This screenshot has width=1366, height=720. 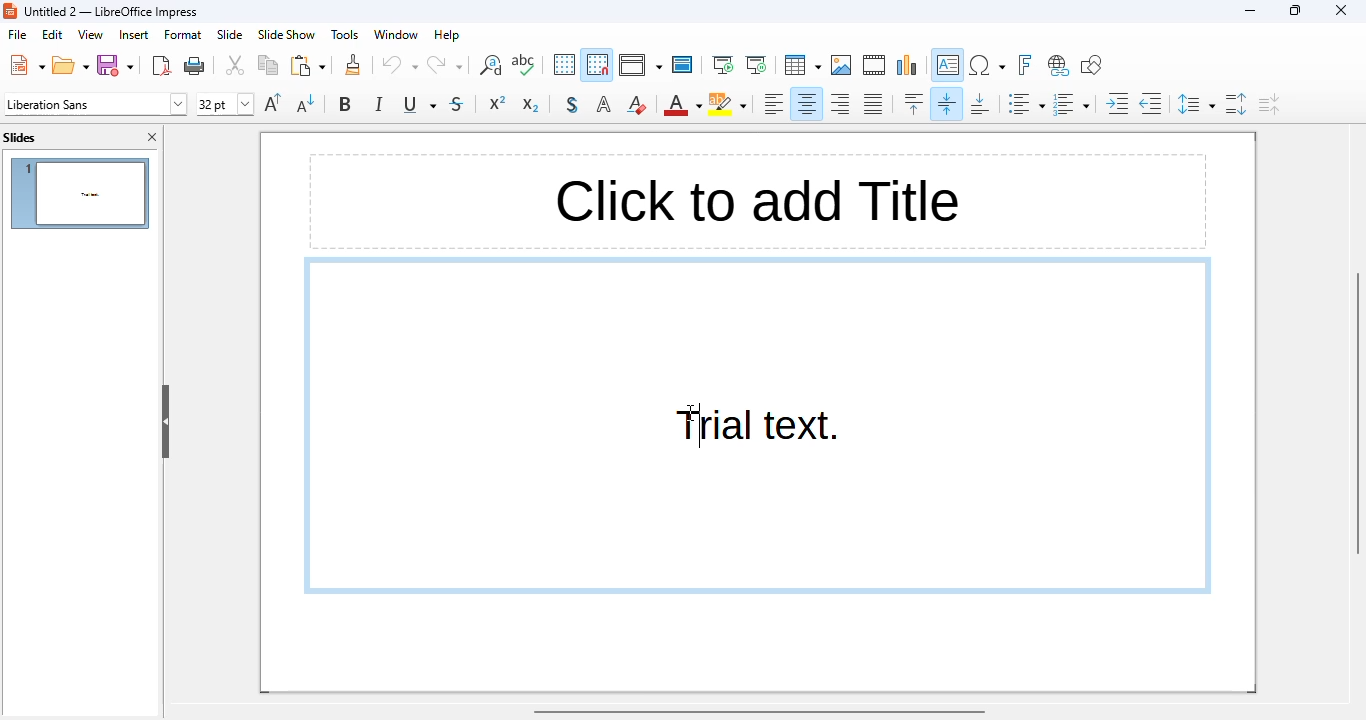 I want to click on Trial text, so click(x=759, y=433).